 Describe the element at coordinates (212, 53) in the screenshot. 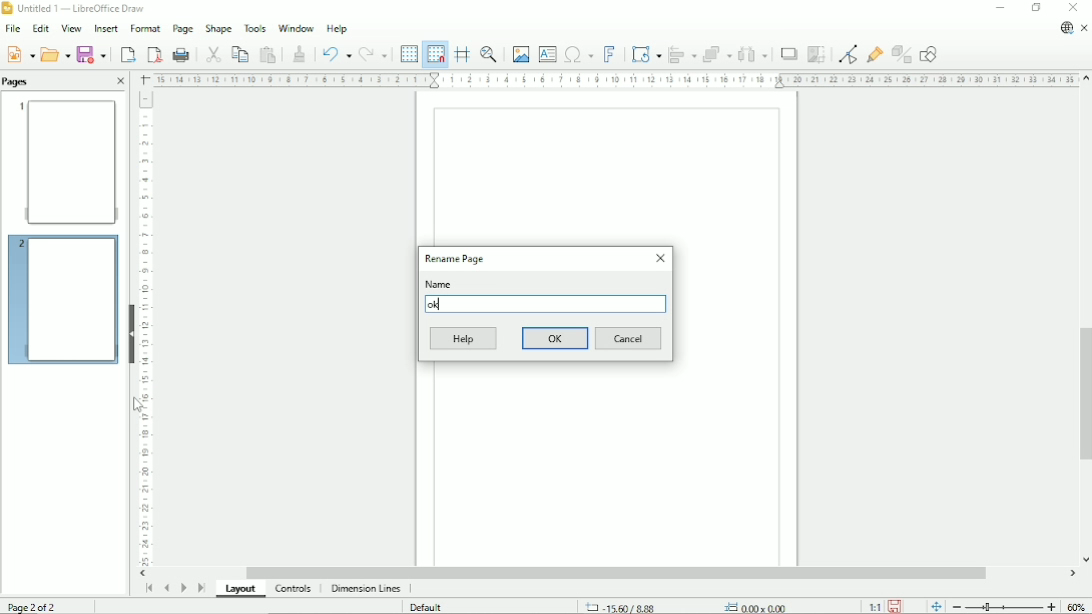

I see `Cut` at that location.